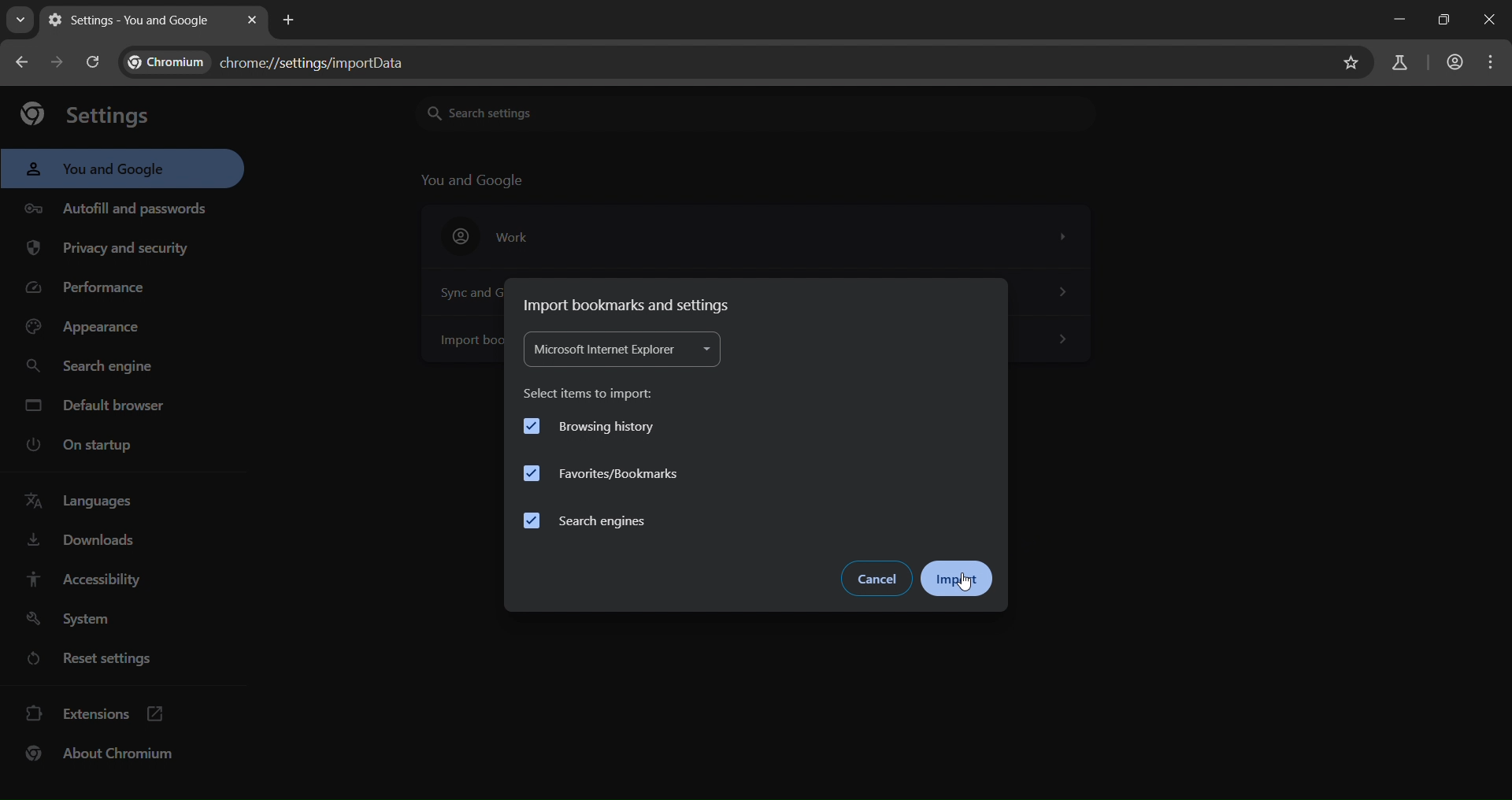 This screenshot has height=800, width=1512. I want to click on bookmark page, so click(1353, 61).